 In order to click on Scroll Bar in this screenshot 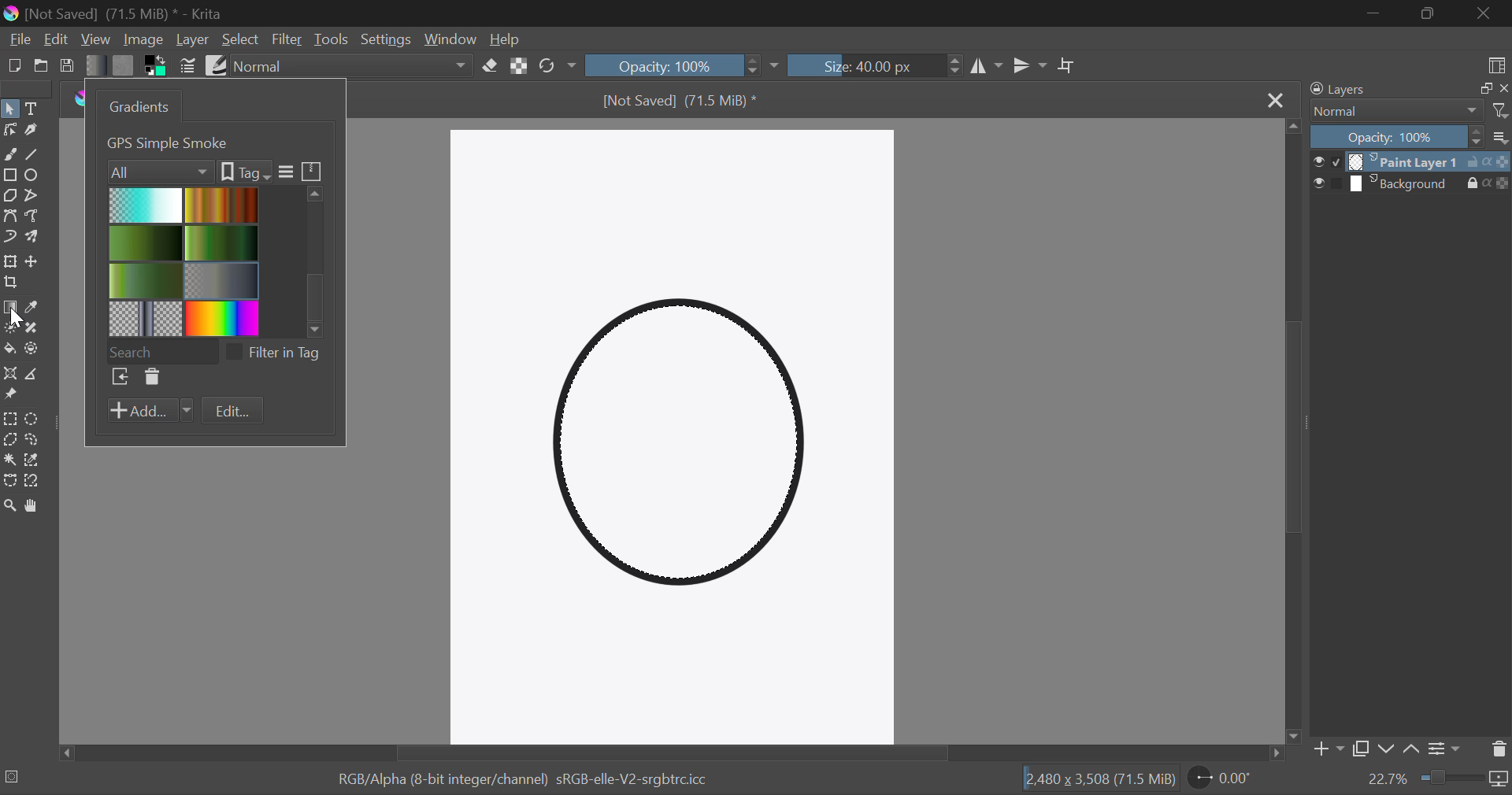, I will do `click(1291, 434)`.